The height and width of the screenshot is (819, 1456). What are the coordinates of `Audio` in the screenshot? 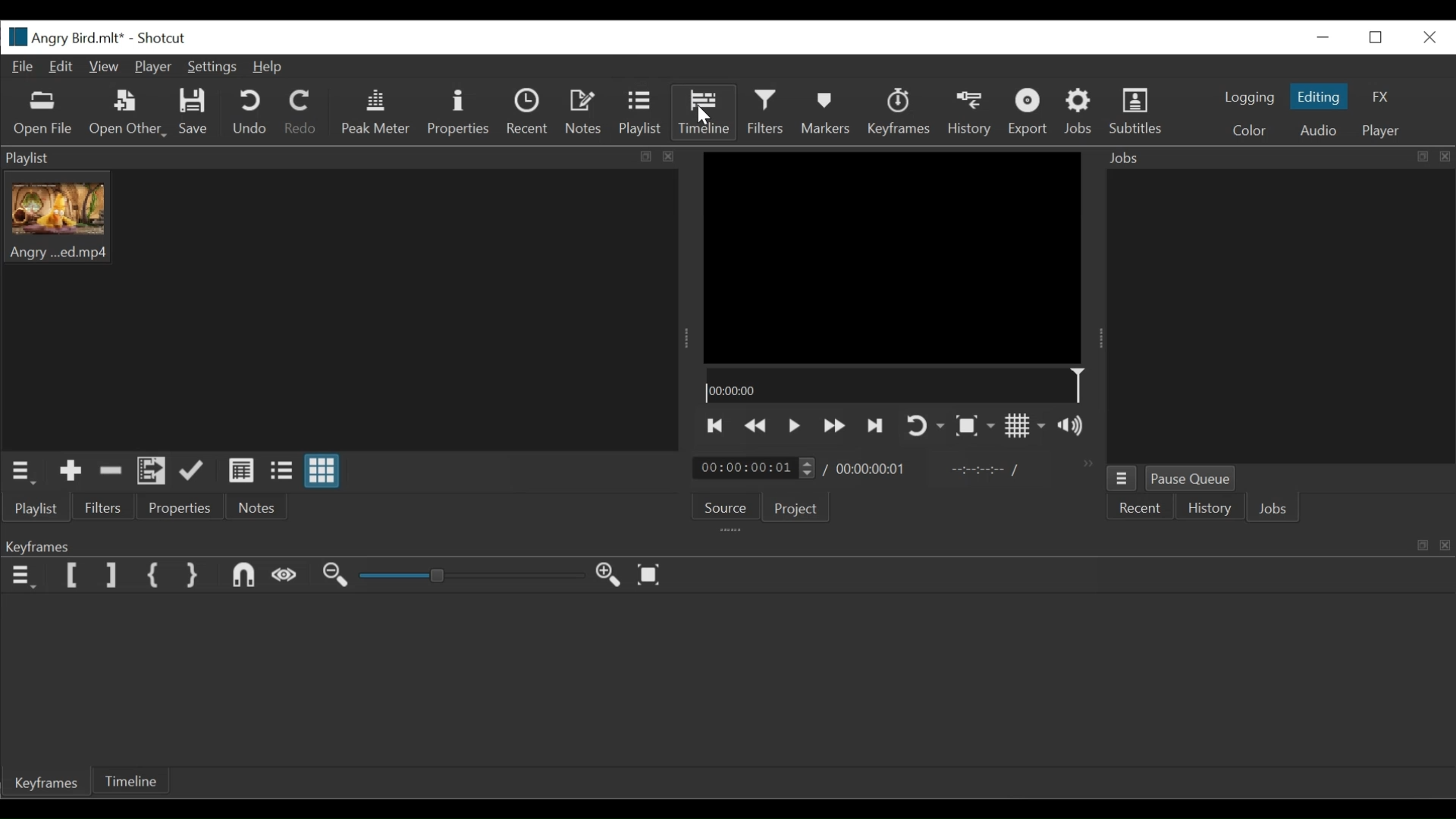 It's located at (1313, 130).